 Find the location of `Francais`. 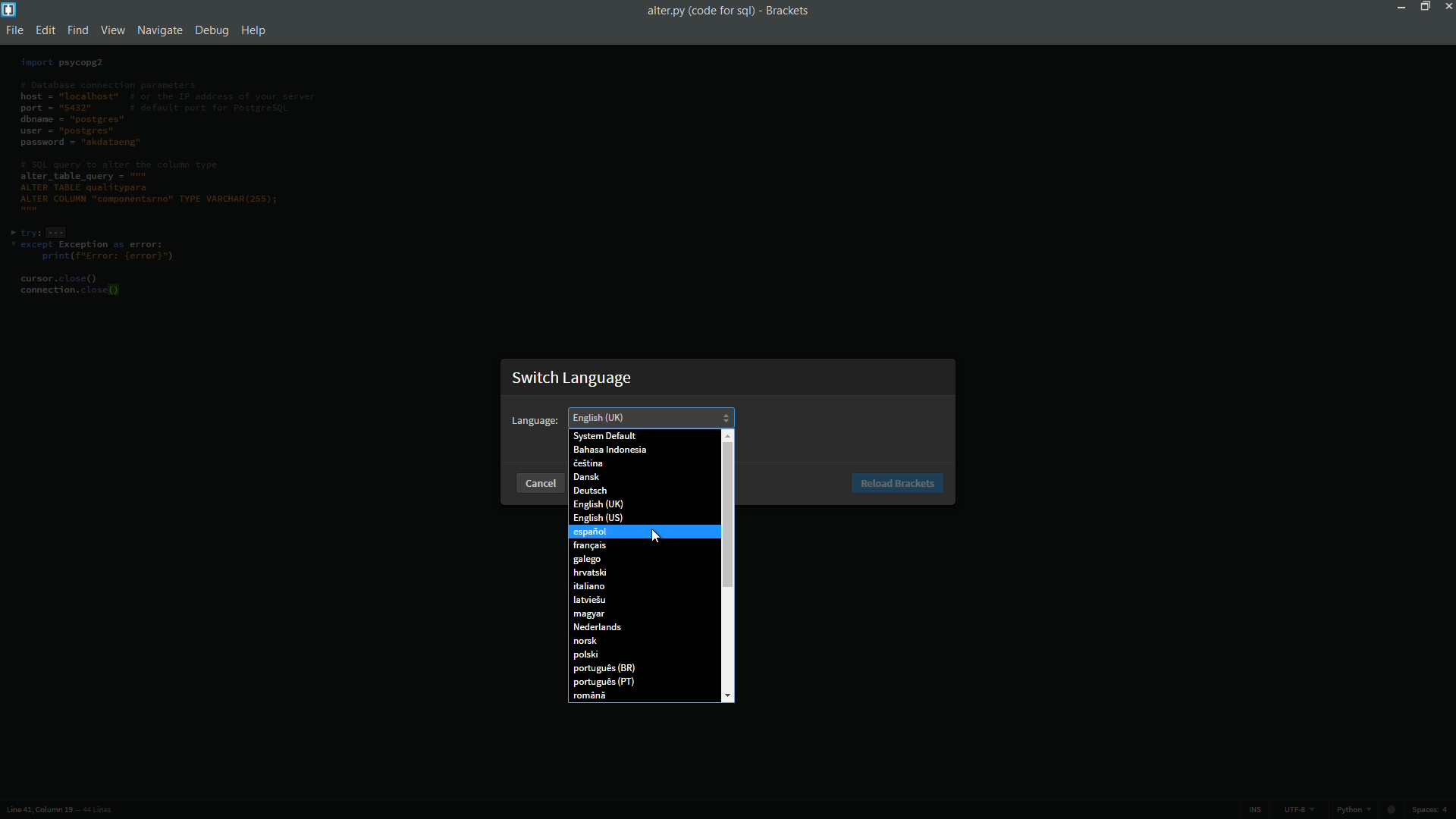

Francais is located at coordinates (641, 547).